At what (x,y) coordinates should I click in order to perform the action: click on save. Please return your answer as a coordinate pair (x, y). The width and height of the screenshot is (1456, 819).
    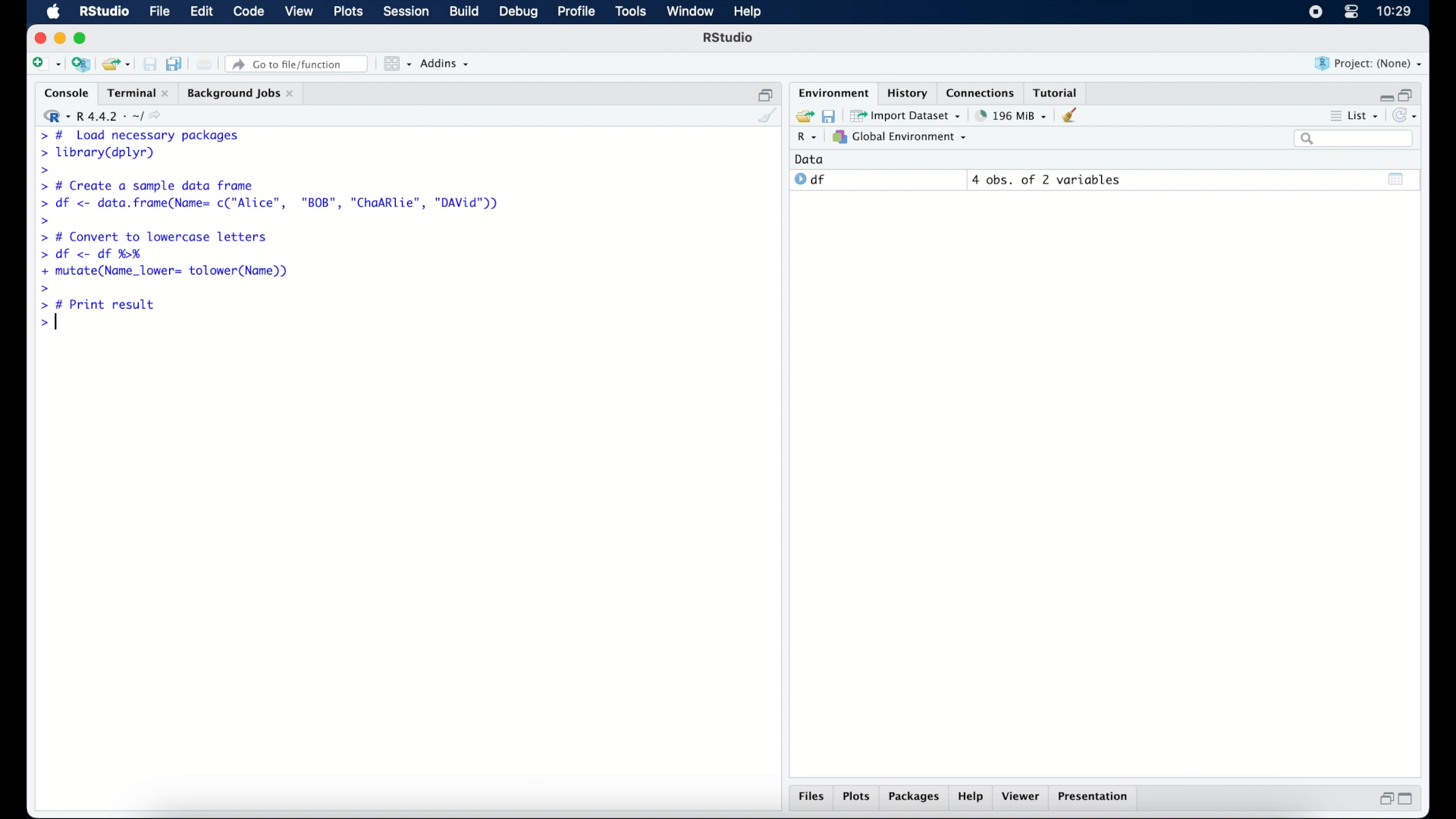
    Looking at the image, I should click on (149, 64).